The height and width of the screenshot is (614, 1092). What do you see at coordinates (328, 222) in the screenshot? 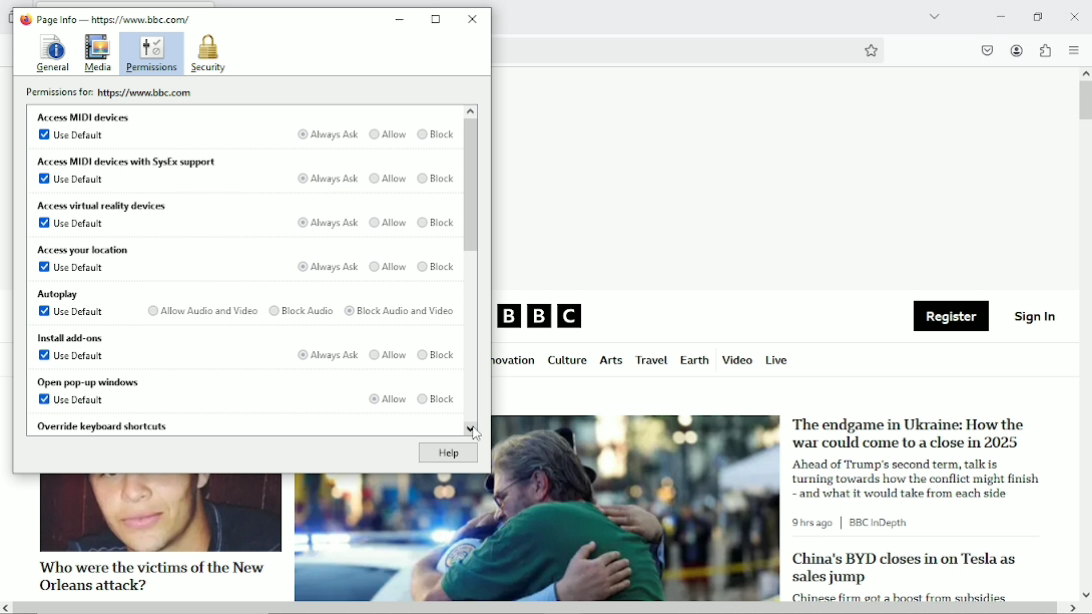
I see `Always Ask` at bounding box center [328, 222].